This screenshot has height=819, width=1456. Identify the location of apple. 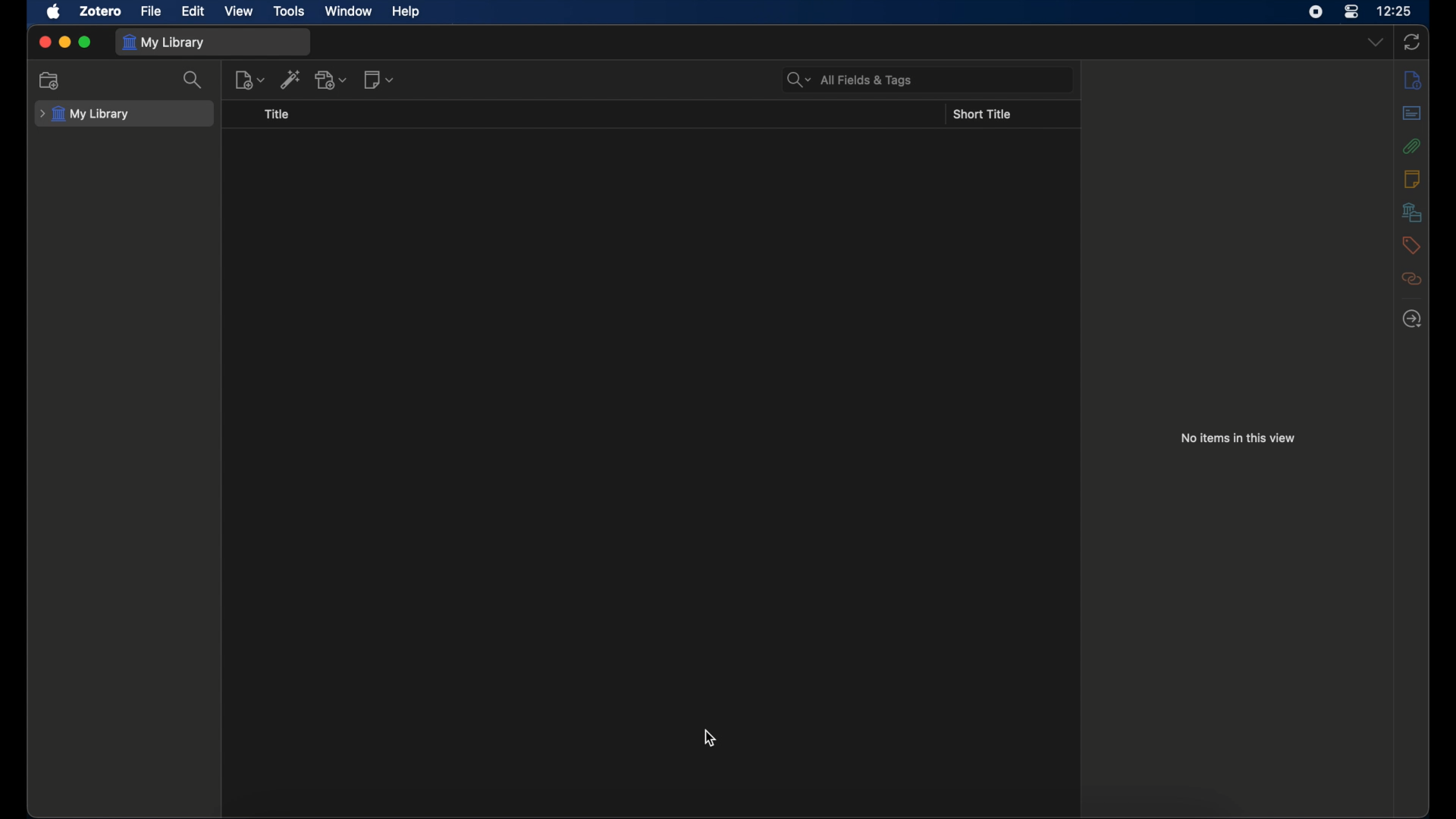
(53, 12).